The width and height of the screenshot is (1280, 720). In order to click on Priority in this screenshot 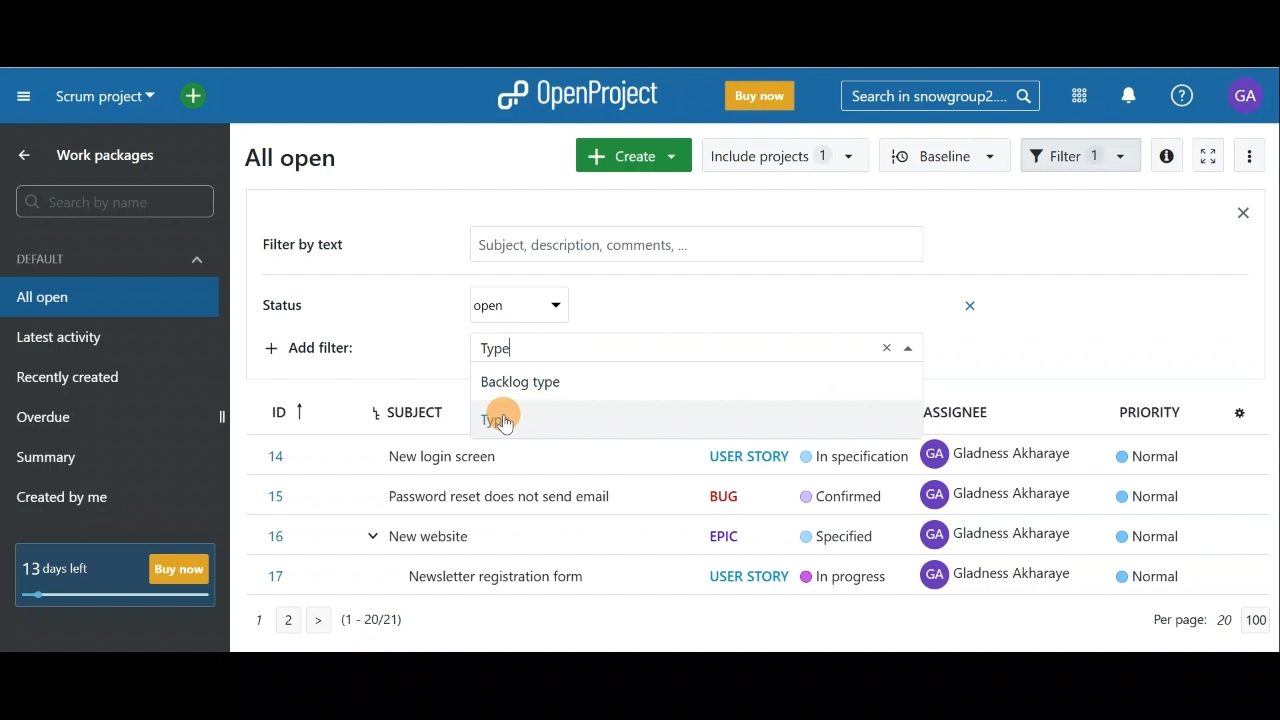, I will do `click(1181, 409)`.